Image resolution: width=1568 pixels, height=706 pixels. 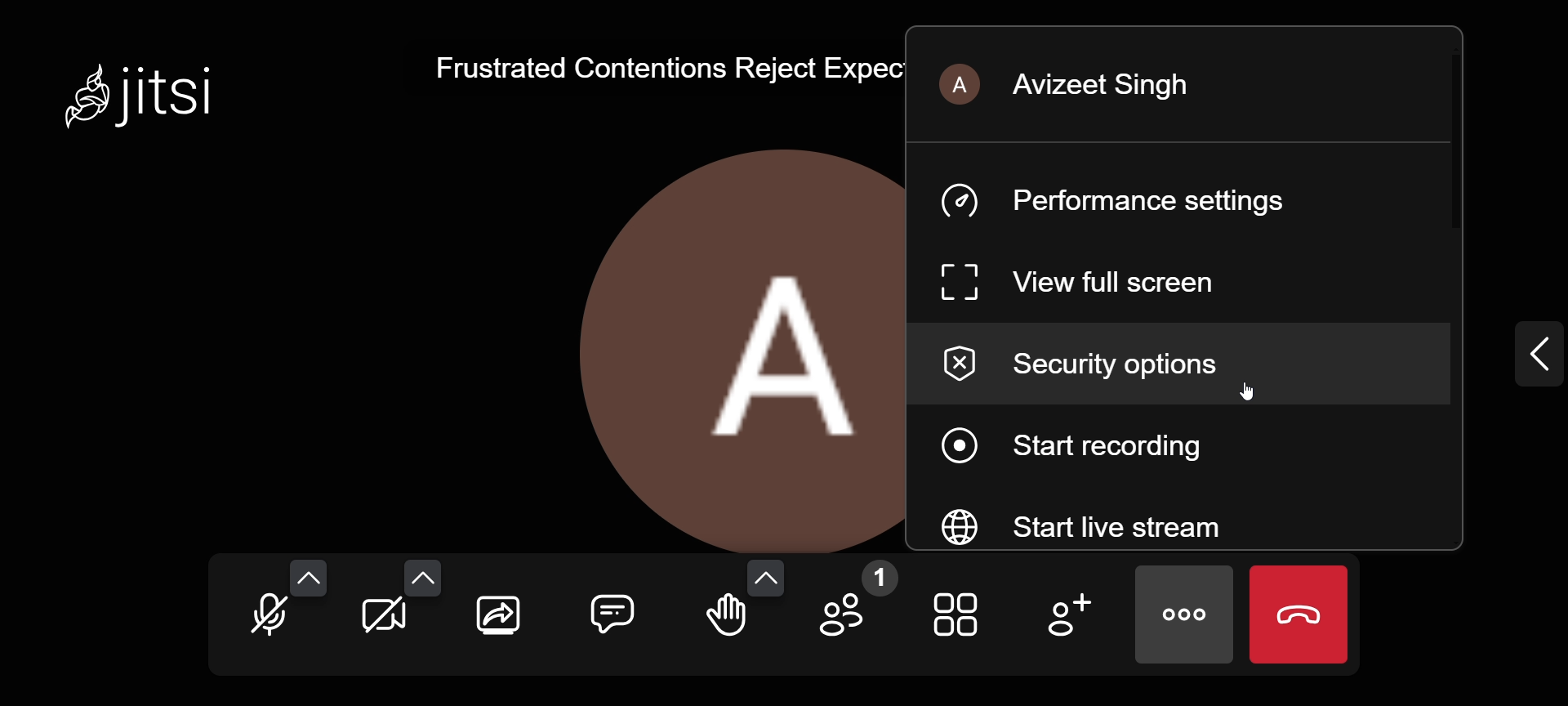 I want to click on start your camera, so click(x=382, y=619).